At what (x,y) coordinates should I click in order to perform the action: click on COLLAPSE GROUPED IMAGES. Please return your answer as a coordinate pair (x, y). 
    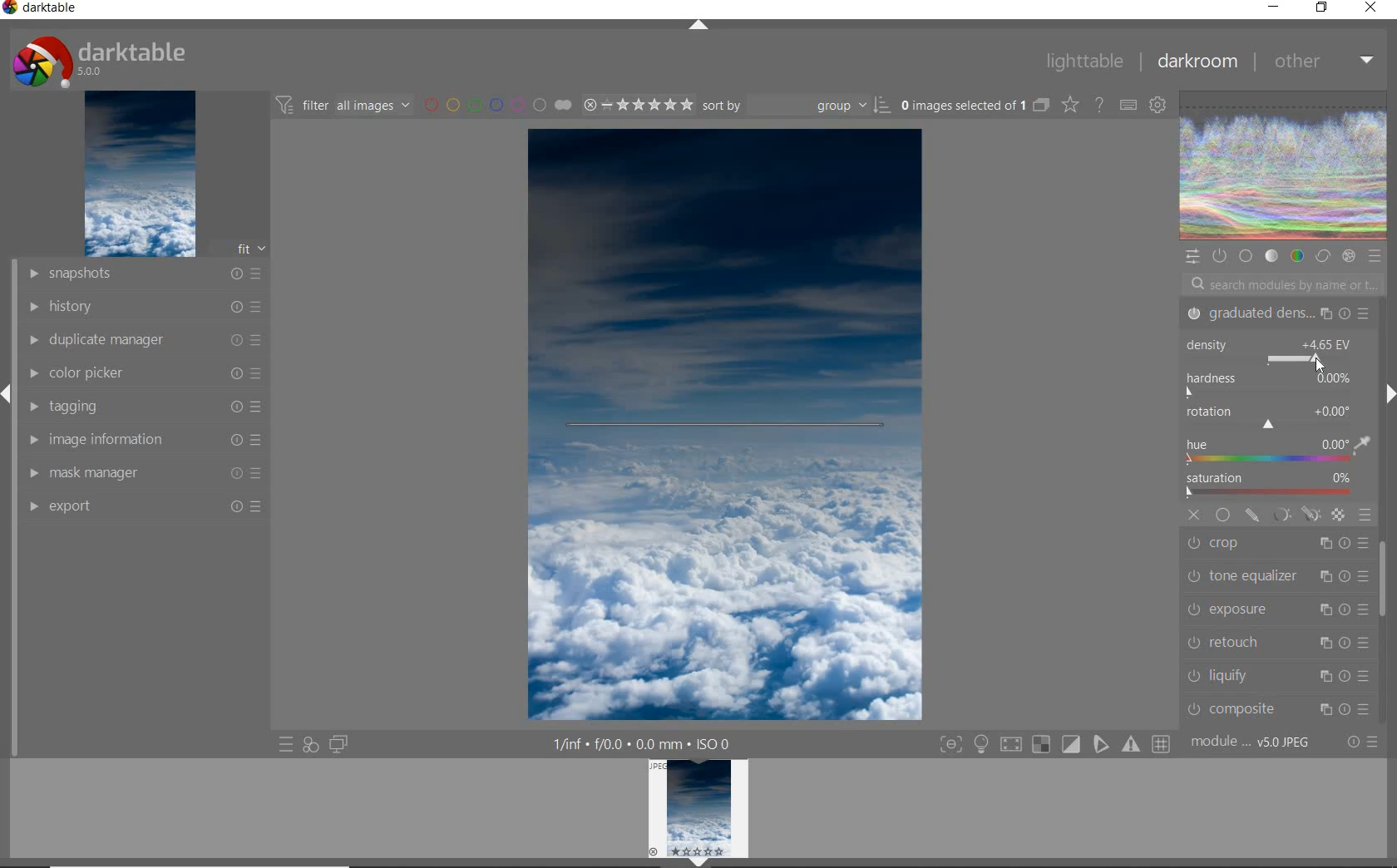
    Looking at the image, I should click on (1042, 104).